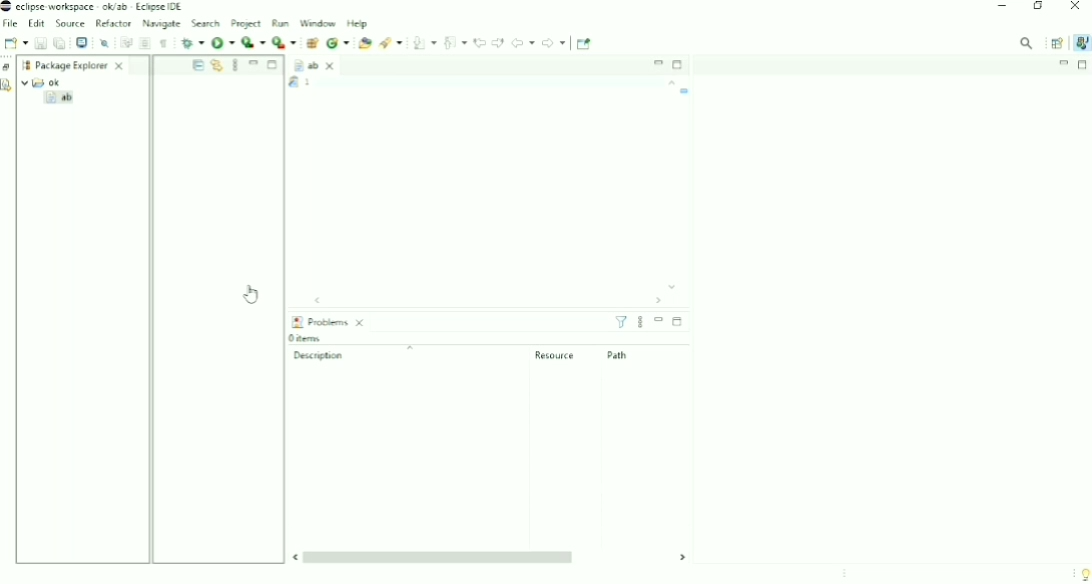  Describe the element at coordinates (555, 355) in the screenshot. I see `Resource` at that location.